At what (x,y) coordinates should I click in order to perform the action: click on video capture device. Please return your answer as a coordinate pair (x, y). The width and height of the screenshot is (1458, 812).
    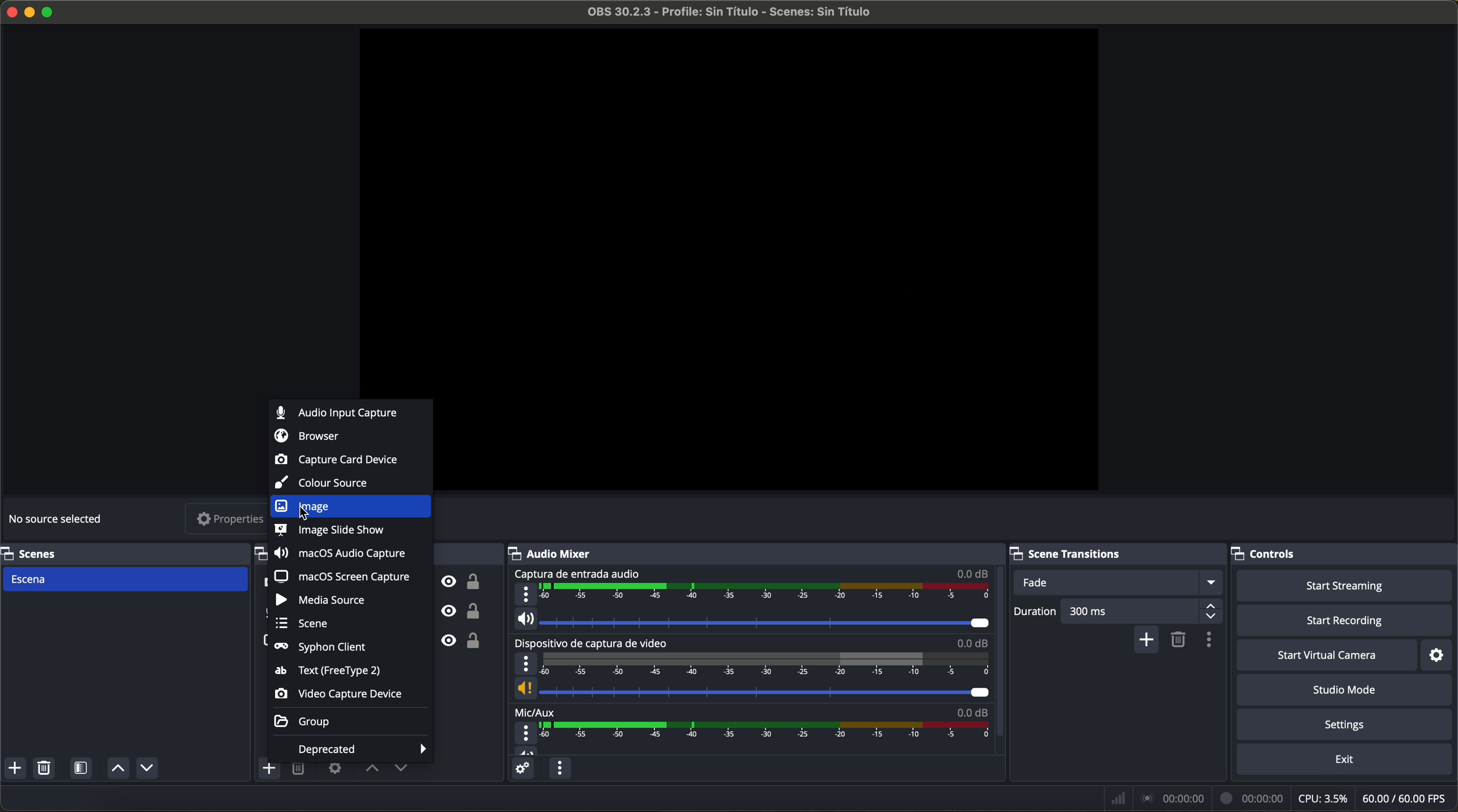
    Looking at the image, I should click on (340, 695).